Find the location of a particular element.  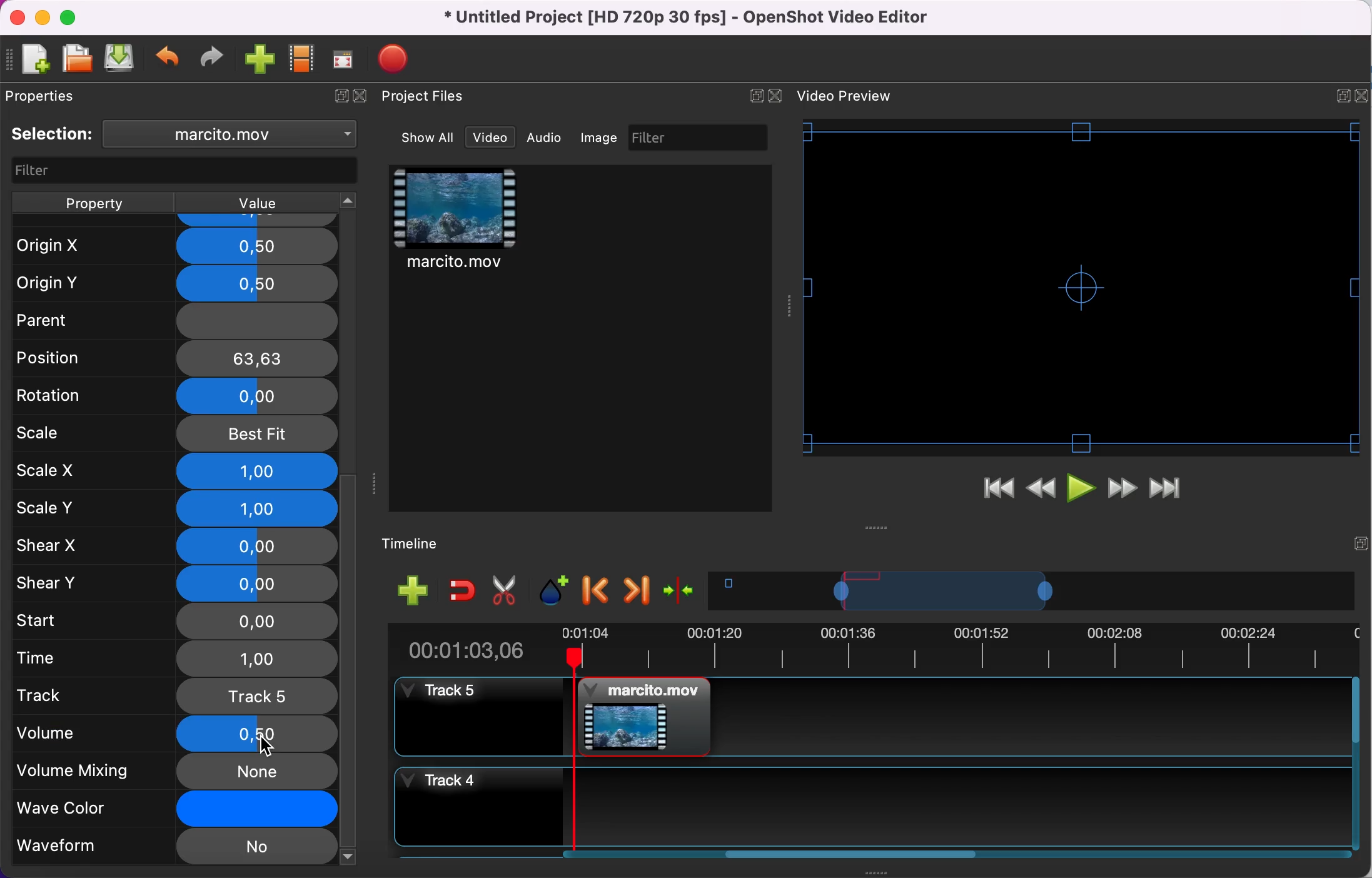

fullscreen is located at coordinates (344, 59).